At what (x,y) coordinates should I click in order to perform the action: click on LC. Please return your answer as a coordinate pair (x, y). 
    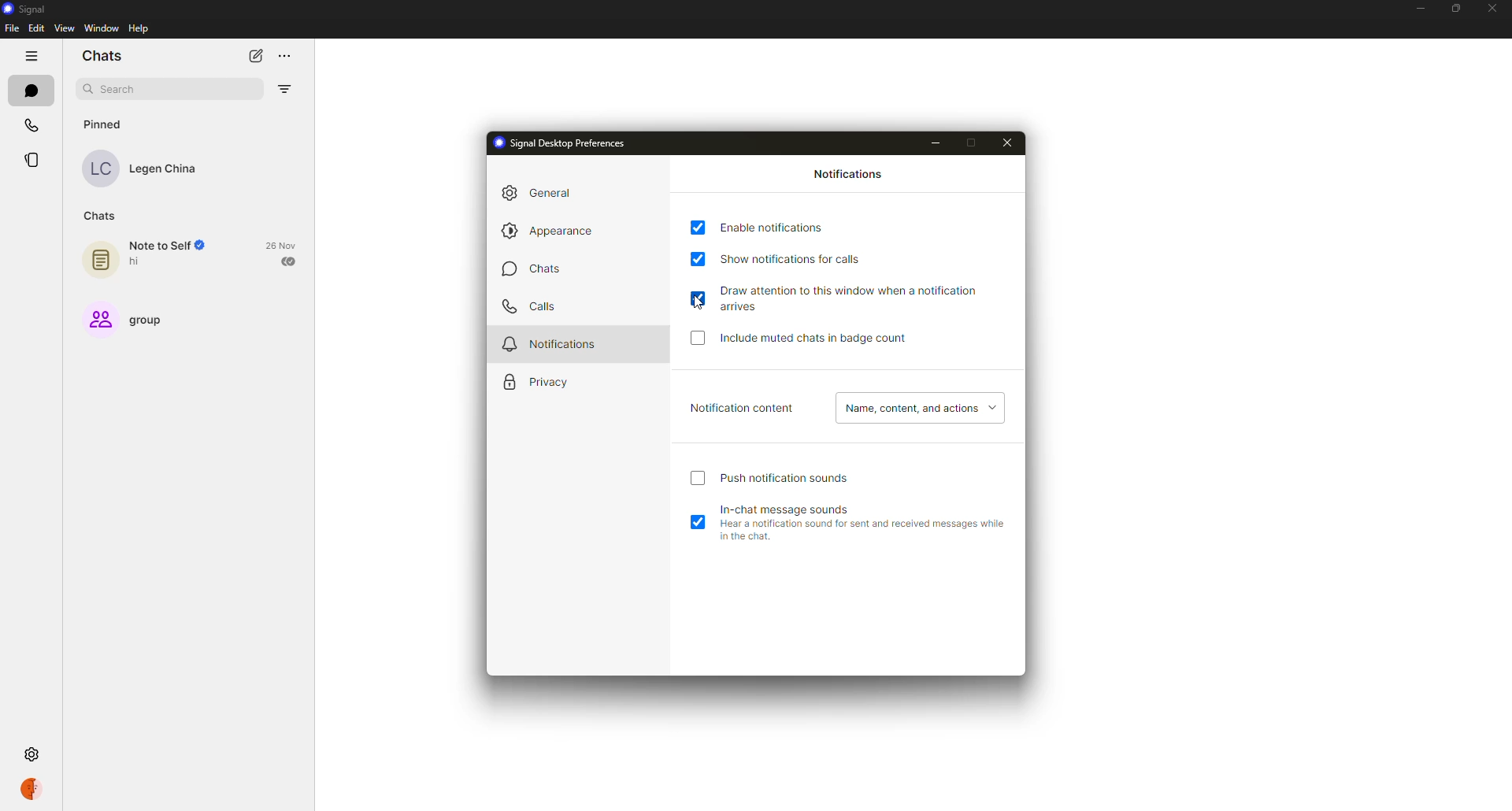
    Looking at the image, I should click on (105, 170).